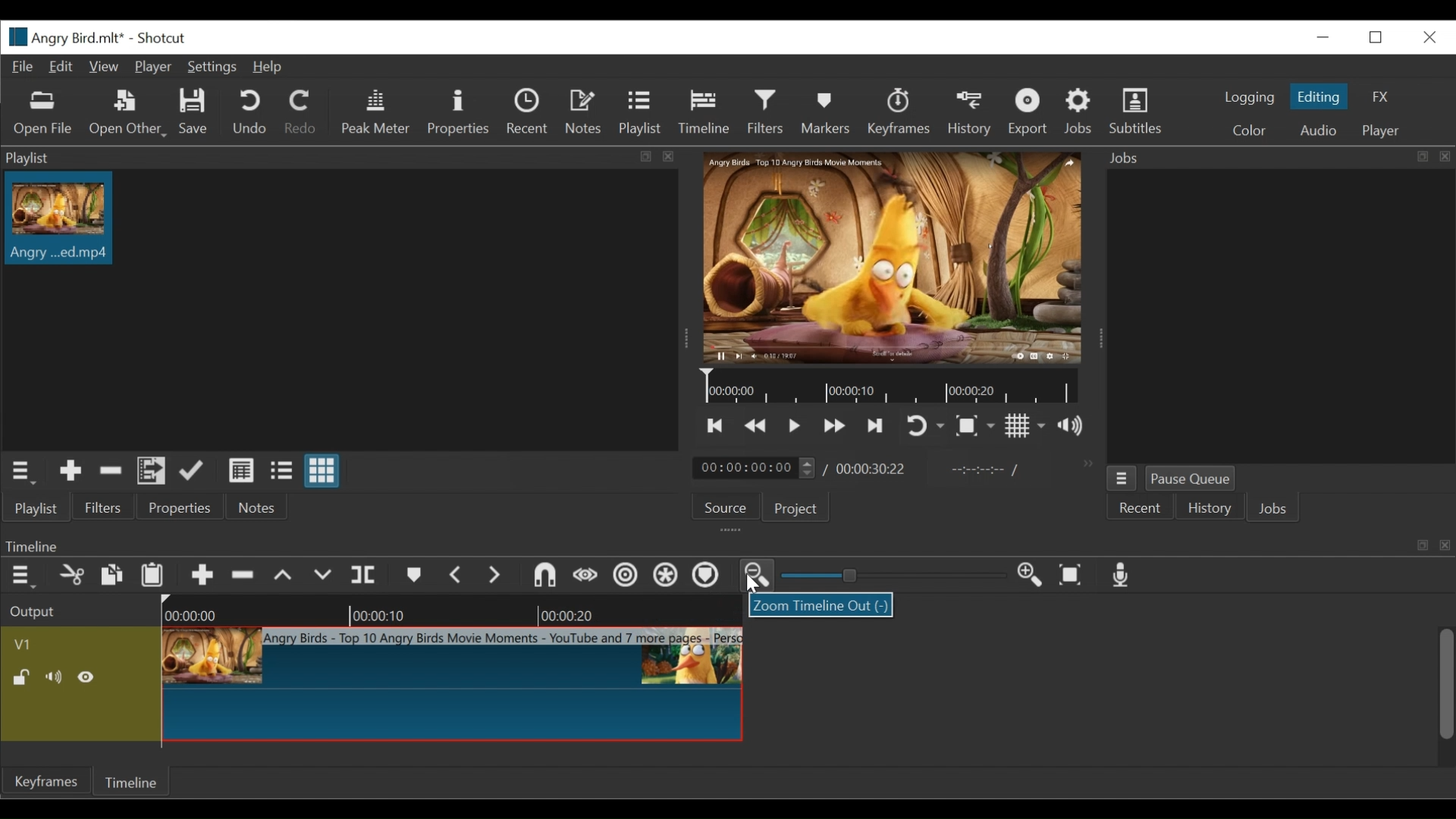 The image size is (1456, 819). What do you see at coordinates (249, 112) in the screenshot?
I see `Undo` at bounding box center [249, 112].